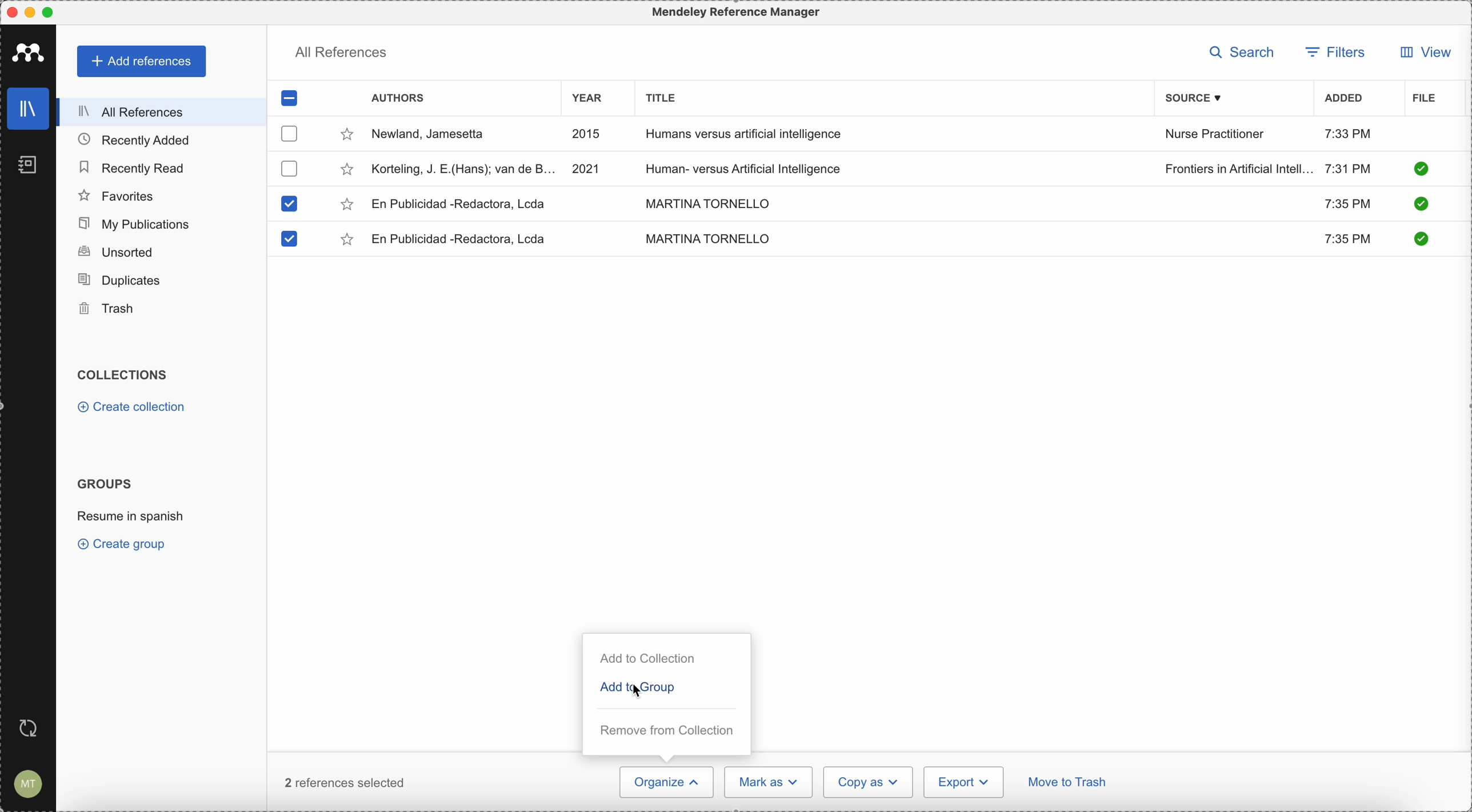  What do you see at coordinates (1424, 99) in the screenshot?
I see `file` at bounding box center [1424, 99].